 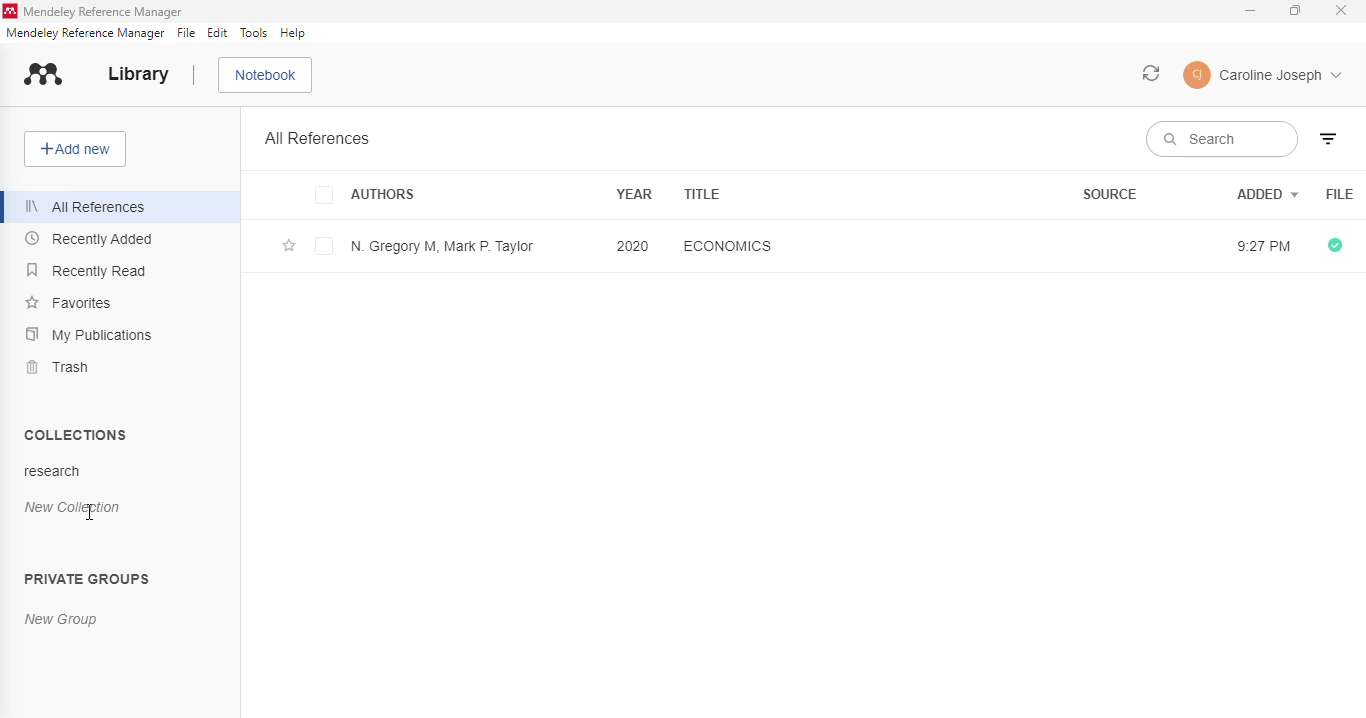 What do you see at coordinates (384, 196) in the screenshot?
I see `authors` at bounding box center [384, 196].